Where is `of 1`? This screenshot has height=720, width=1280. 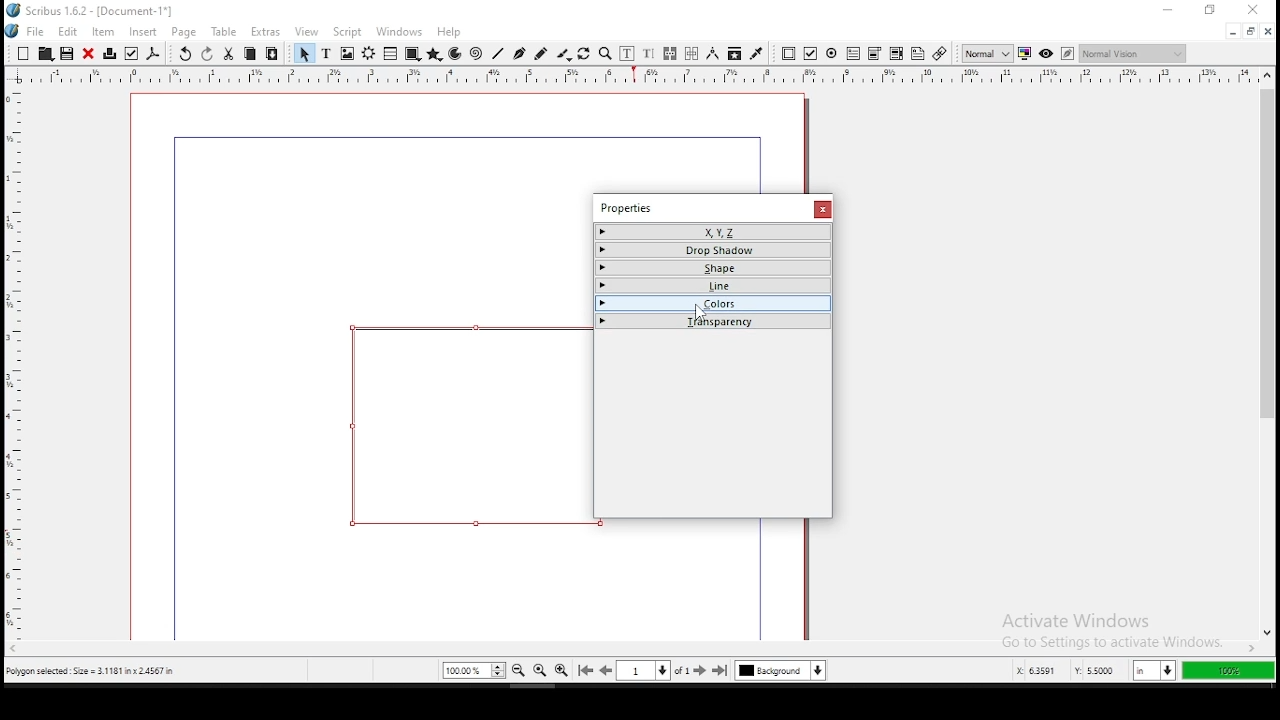 of 1 is located at coordinates (682, 670).